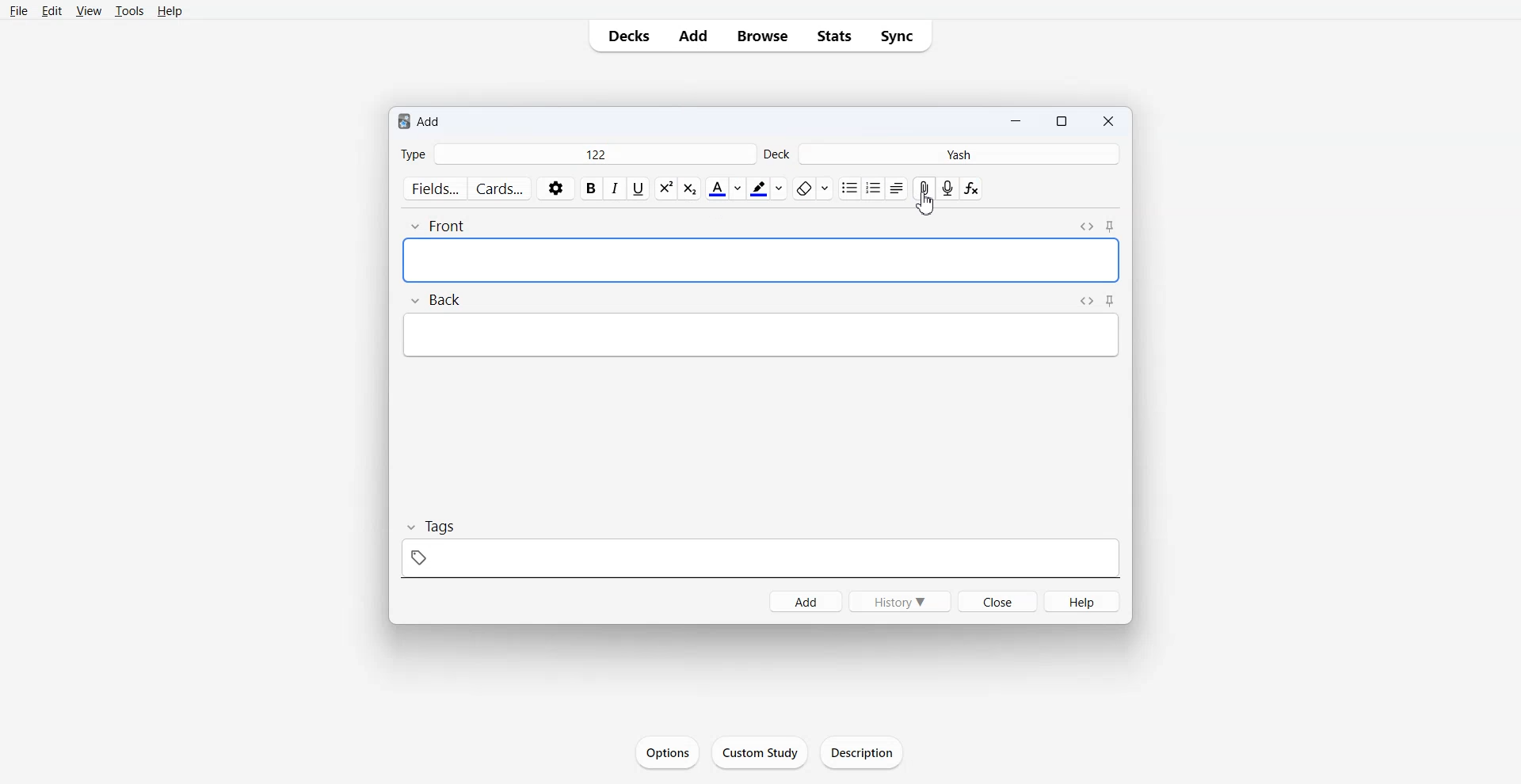 This screenshot has height=784, width=1521. I want to click on Underline, so click(639, 189).